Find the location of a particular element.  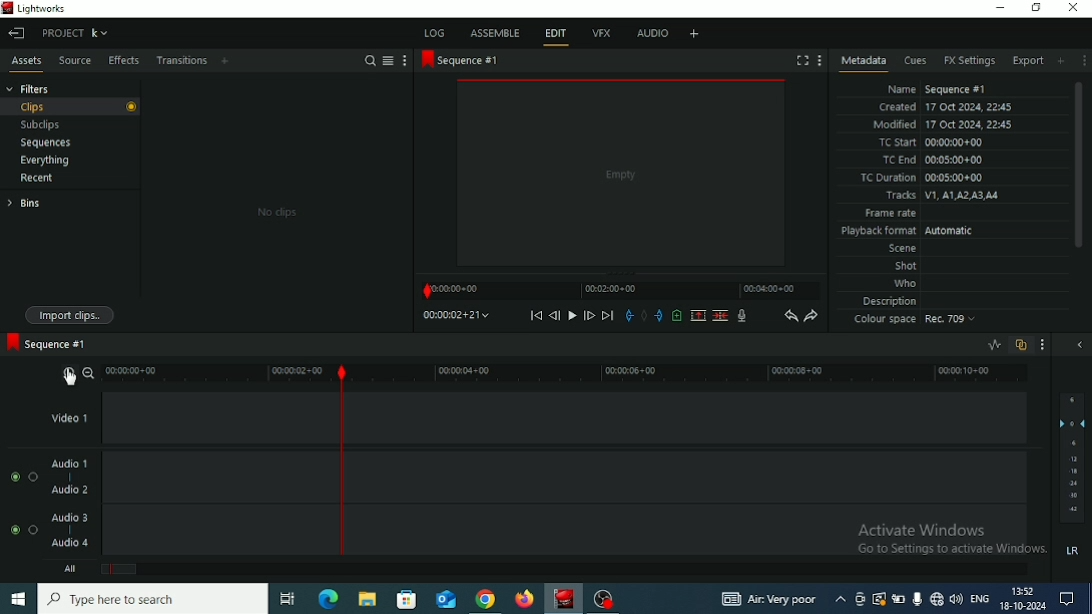

All is located at coordinates (71, 569).